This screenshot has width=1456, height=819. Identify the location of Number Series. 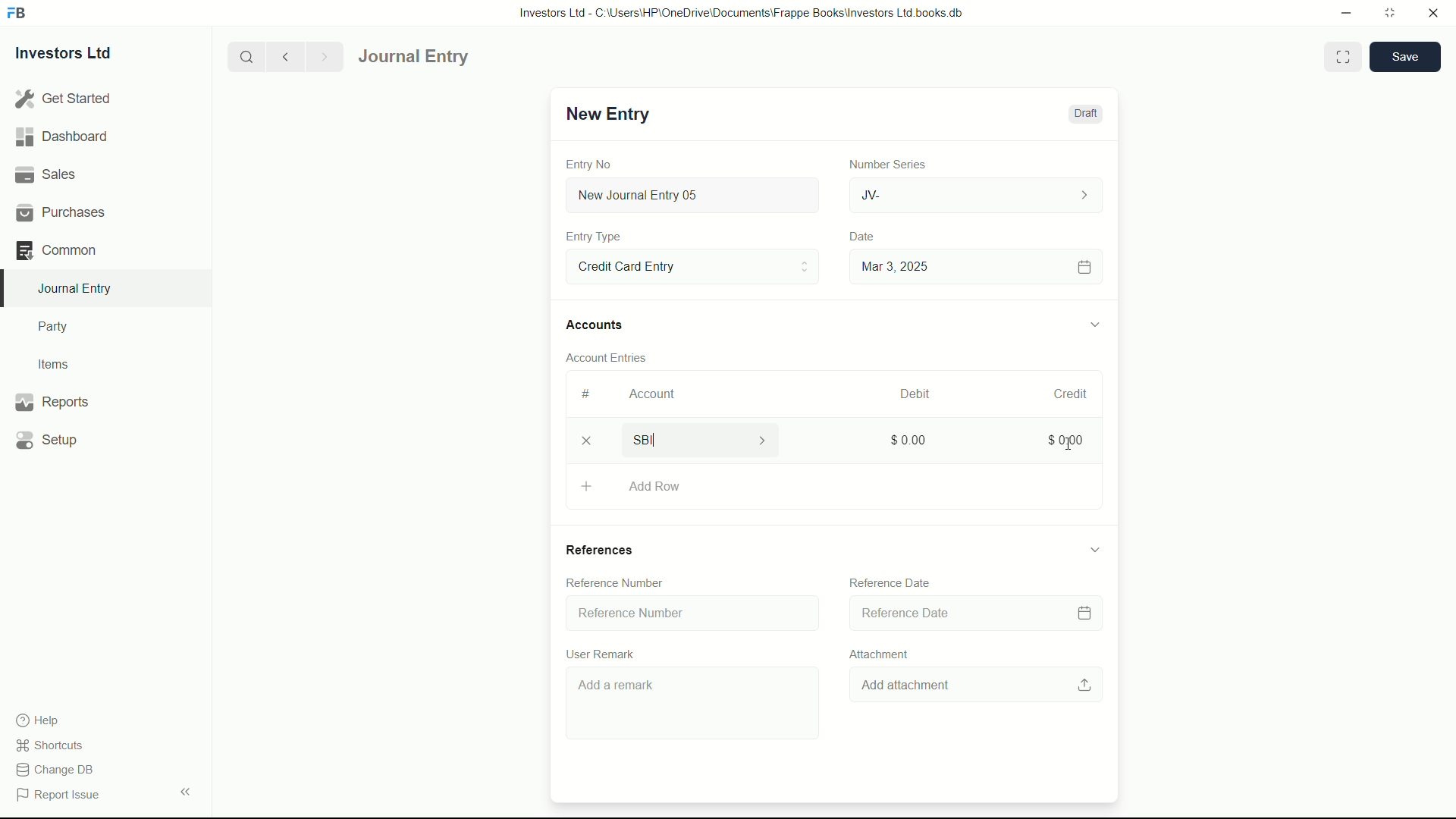
(881, 163).